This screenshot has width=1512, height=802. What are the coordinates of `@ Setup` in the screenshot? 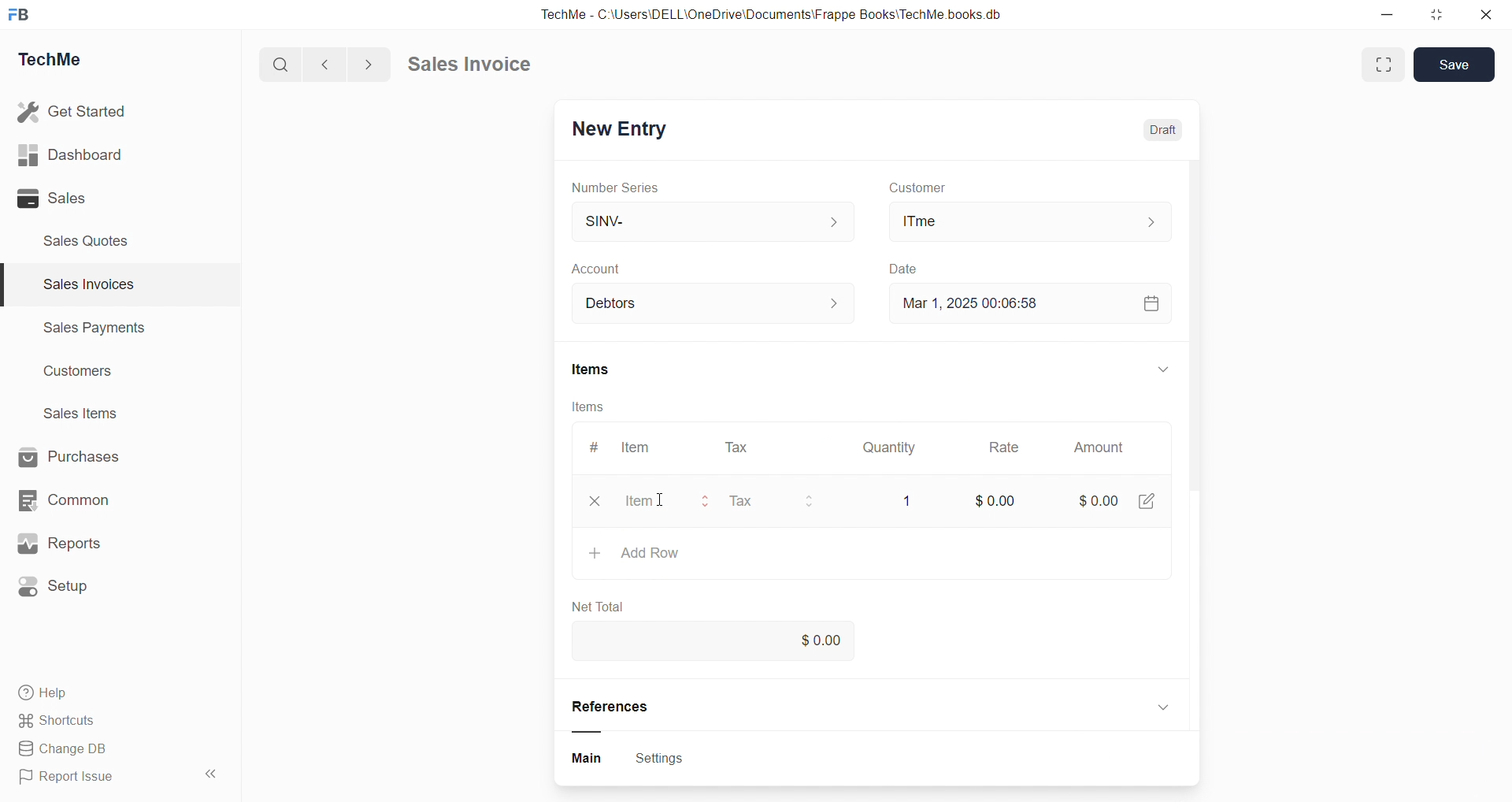 It's located at (62, 592).